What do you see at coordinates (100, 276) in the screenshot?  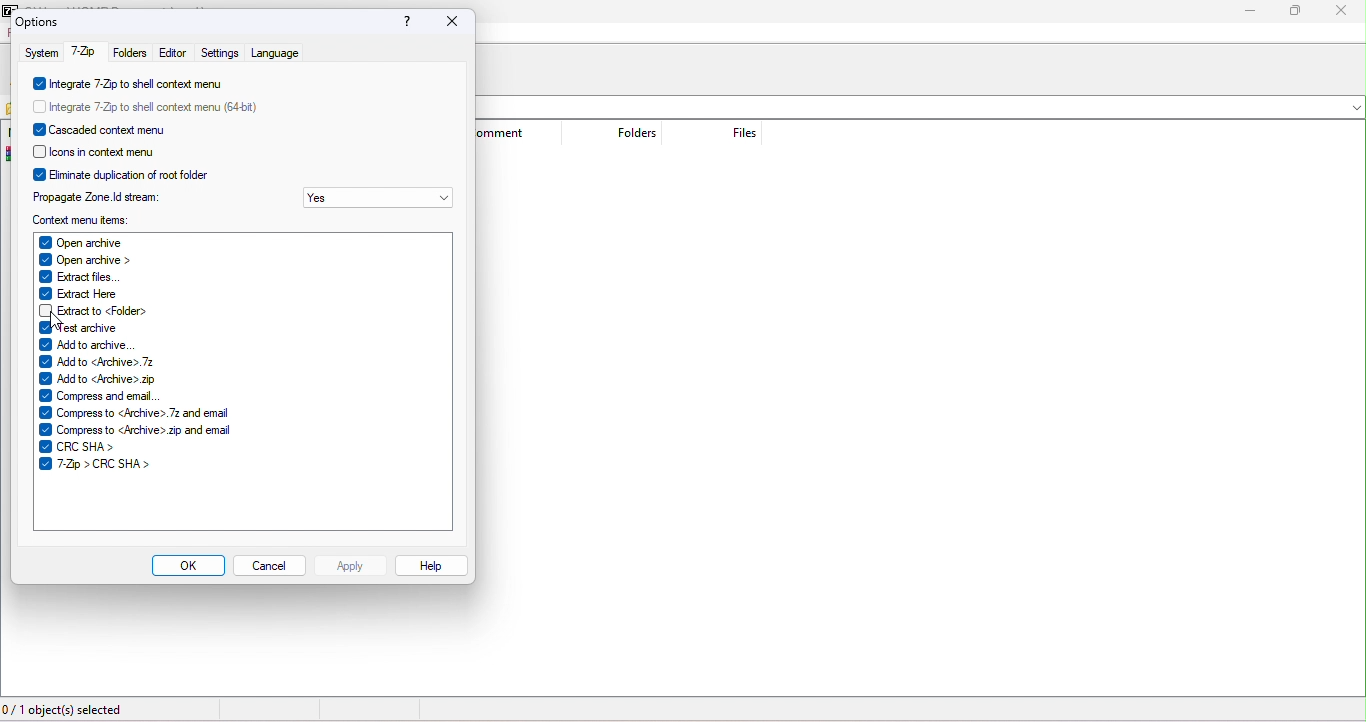 I see `extract files` at bounding box center [100, 276].